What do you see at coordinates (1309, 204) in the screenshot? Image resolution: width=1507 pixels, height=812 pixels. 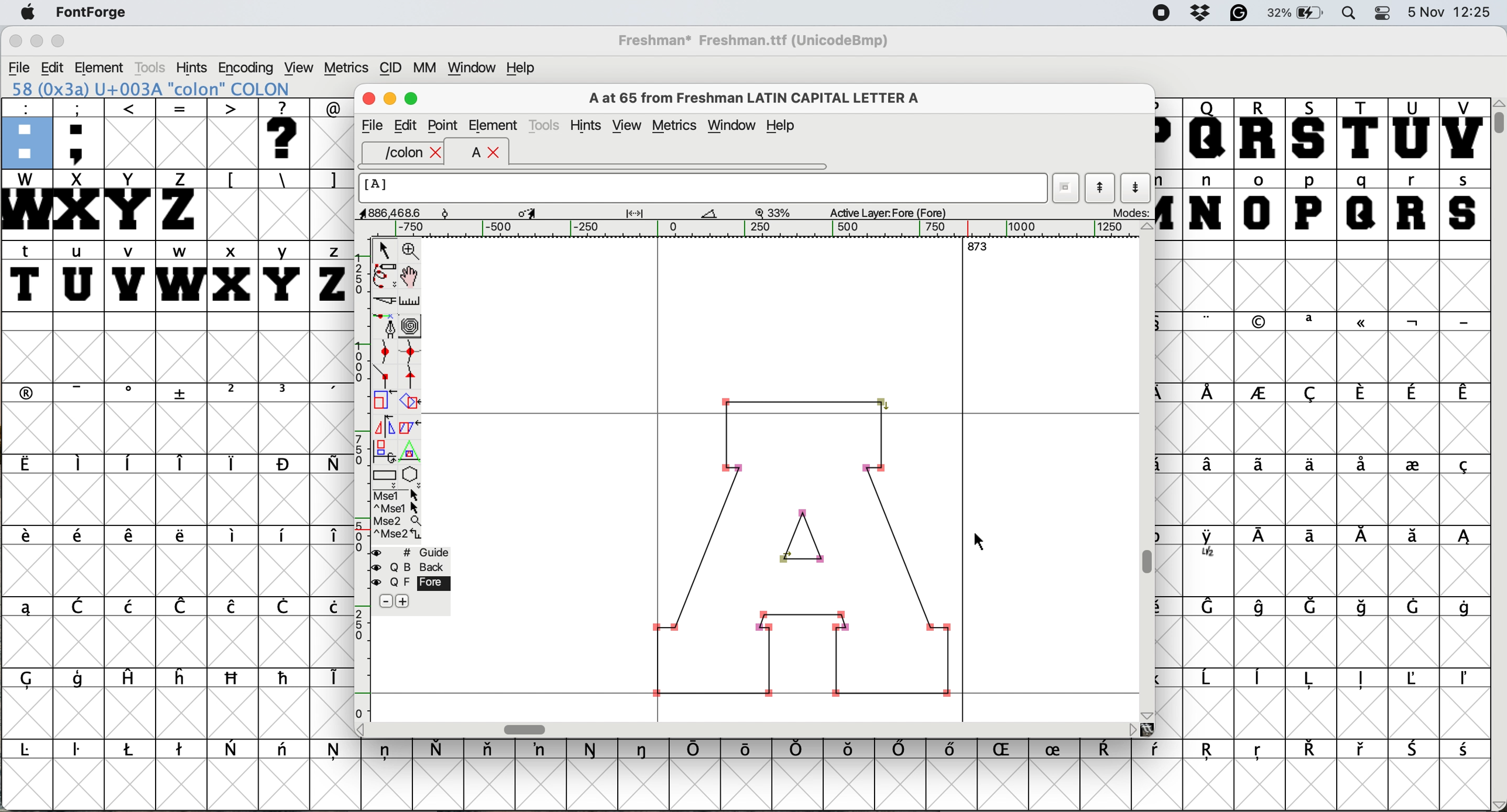 I see `p` at bounding box center [1309, 204].